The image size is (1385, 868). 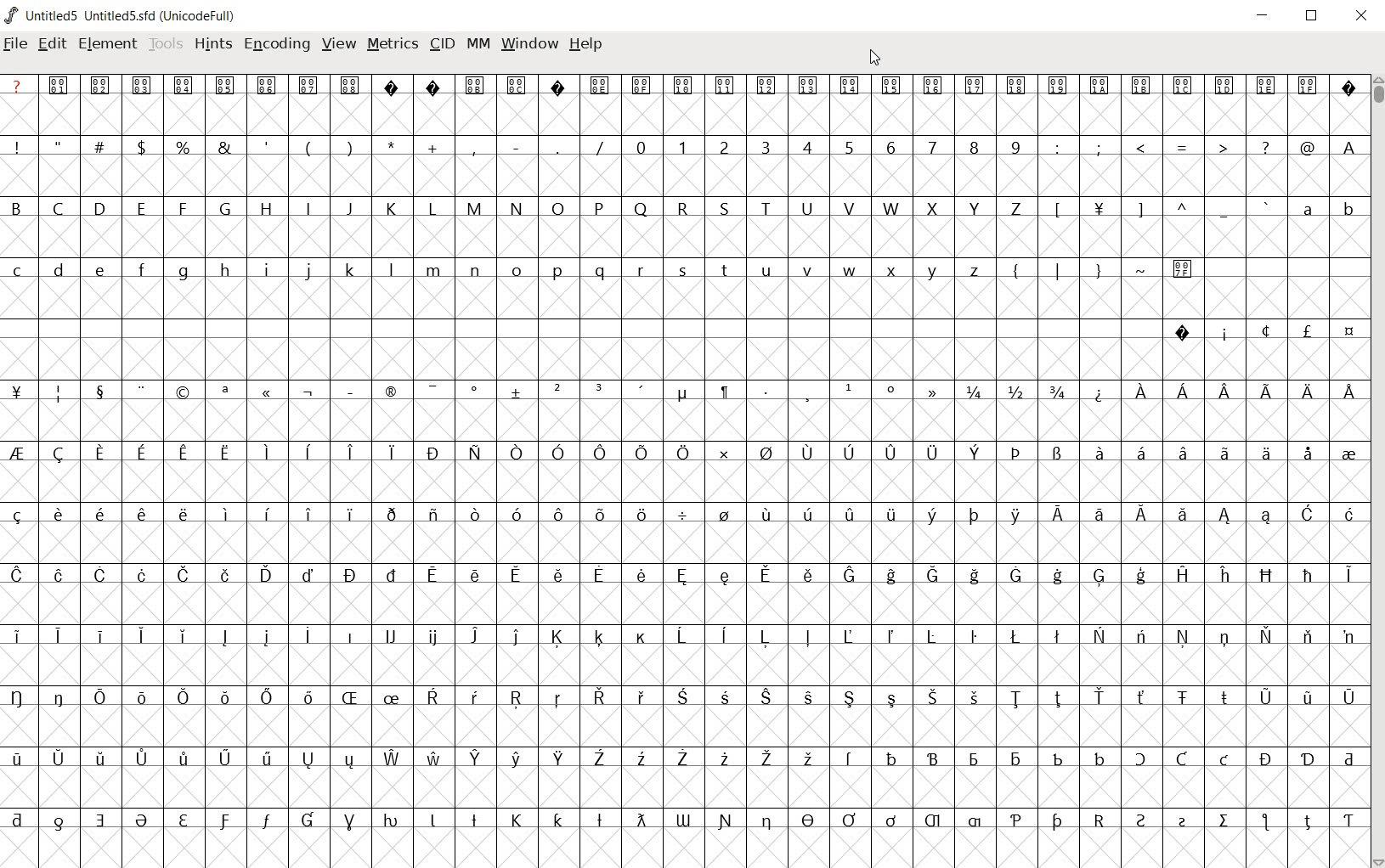 What do you see at coordinates (1377, 471) in the screenshot?
I see `SCROLLBAR` at bounding box center [1377, 471].